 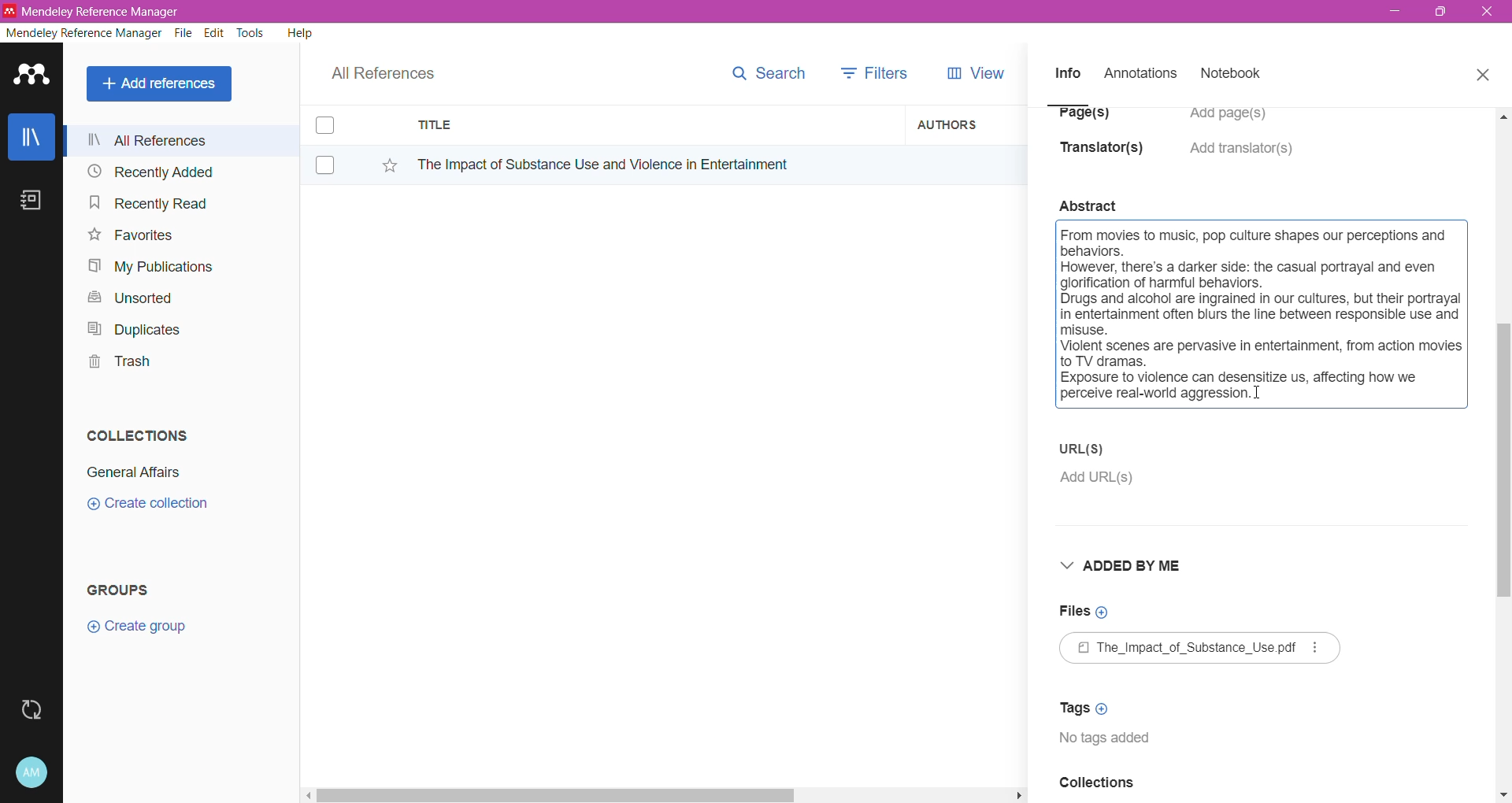 I want to click on All References, so click(x=394, y=69).